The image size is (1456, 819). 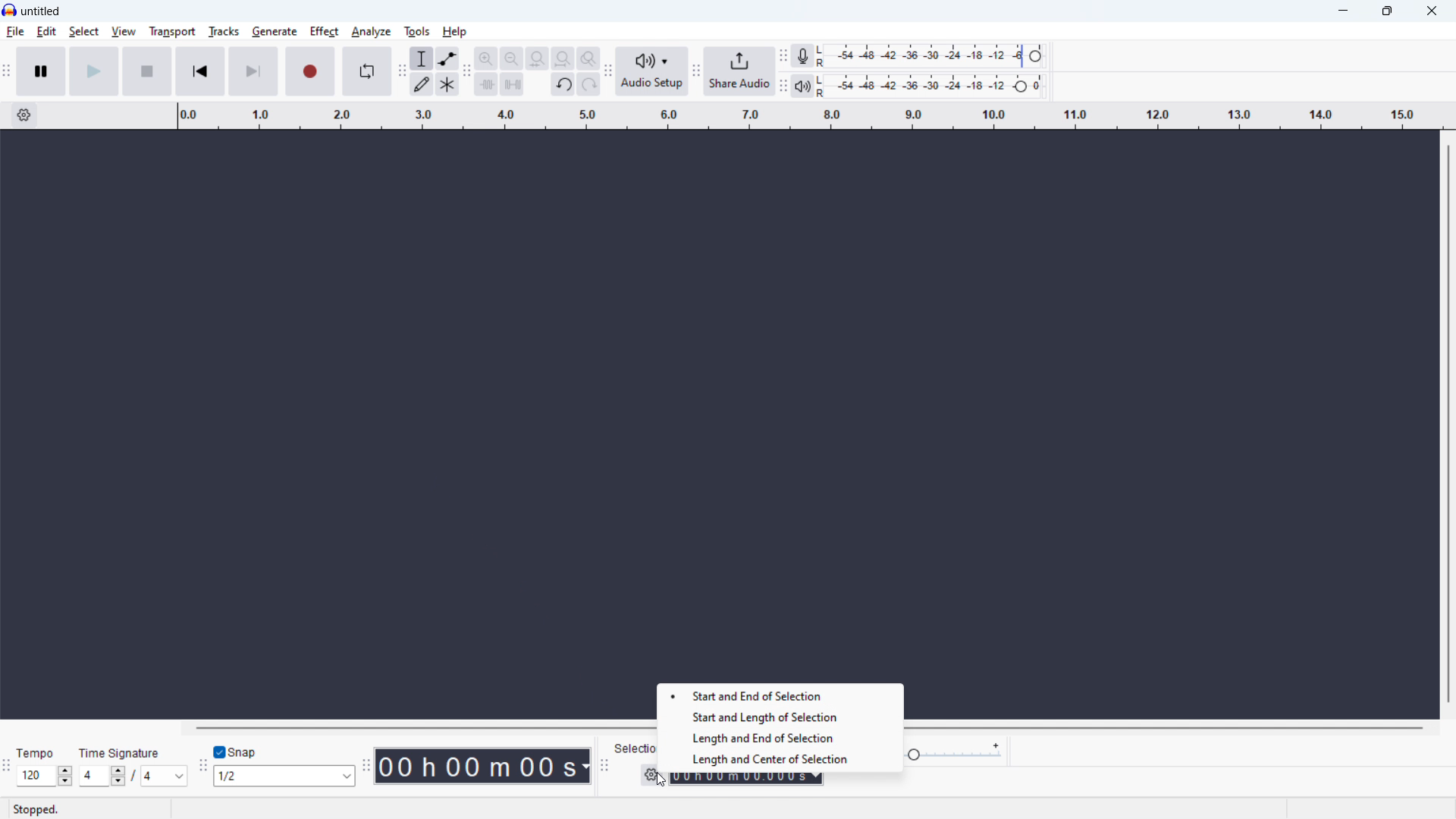 What do you see at coordinates (42, 11) in the screenshot?
I see `title` at bounding box center [42, 11].